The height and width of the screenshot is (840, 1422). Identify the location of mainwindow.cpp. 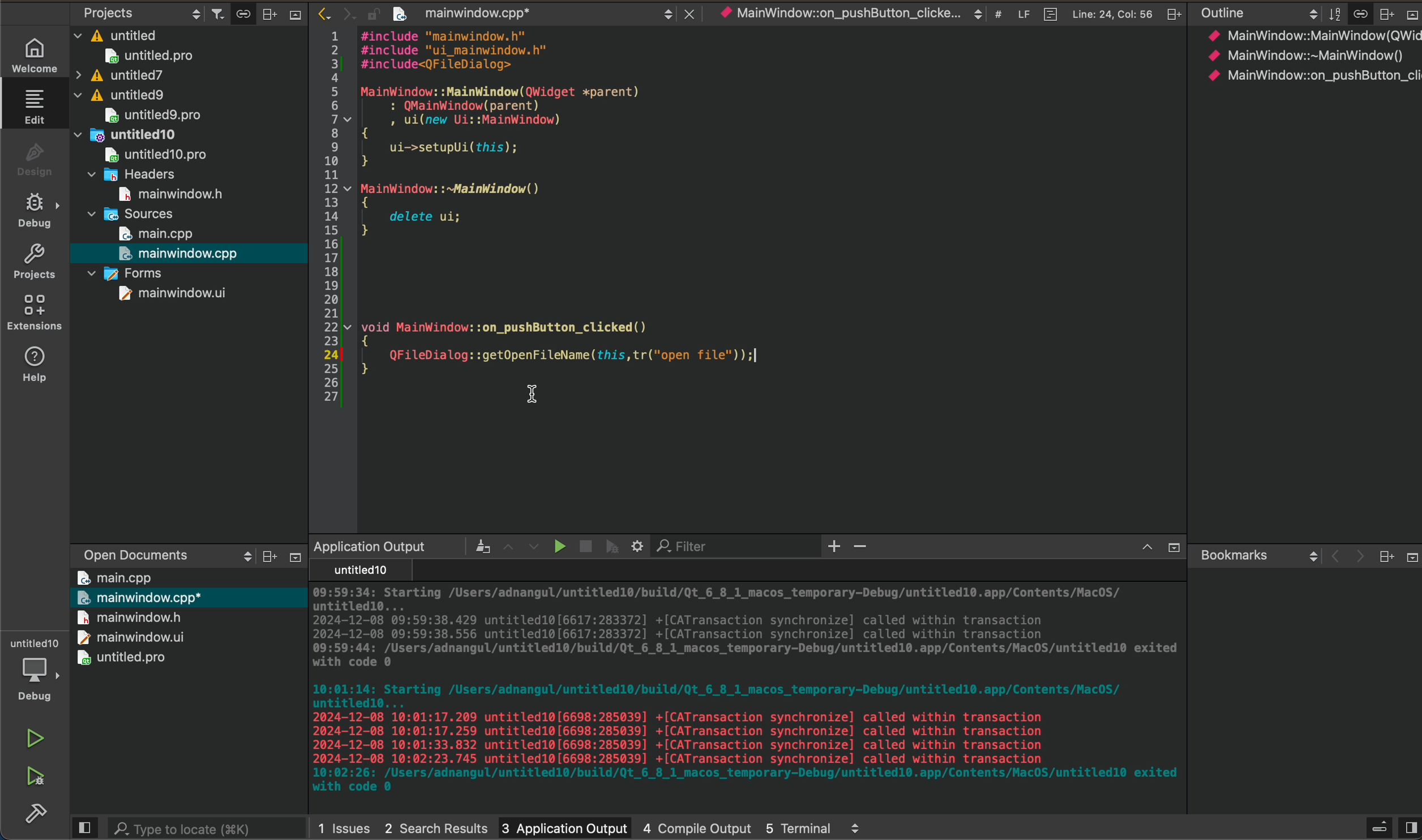
(461, 15).